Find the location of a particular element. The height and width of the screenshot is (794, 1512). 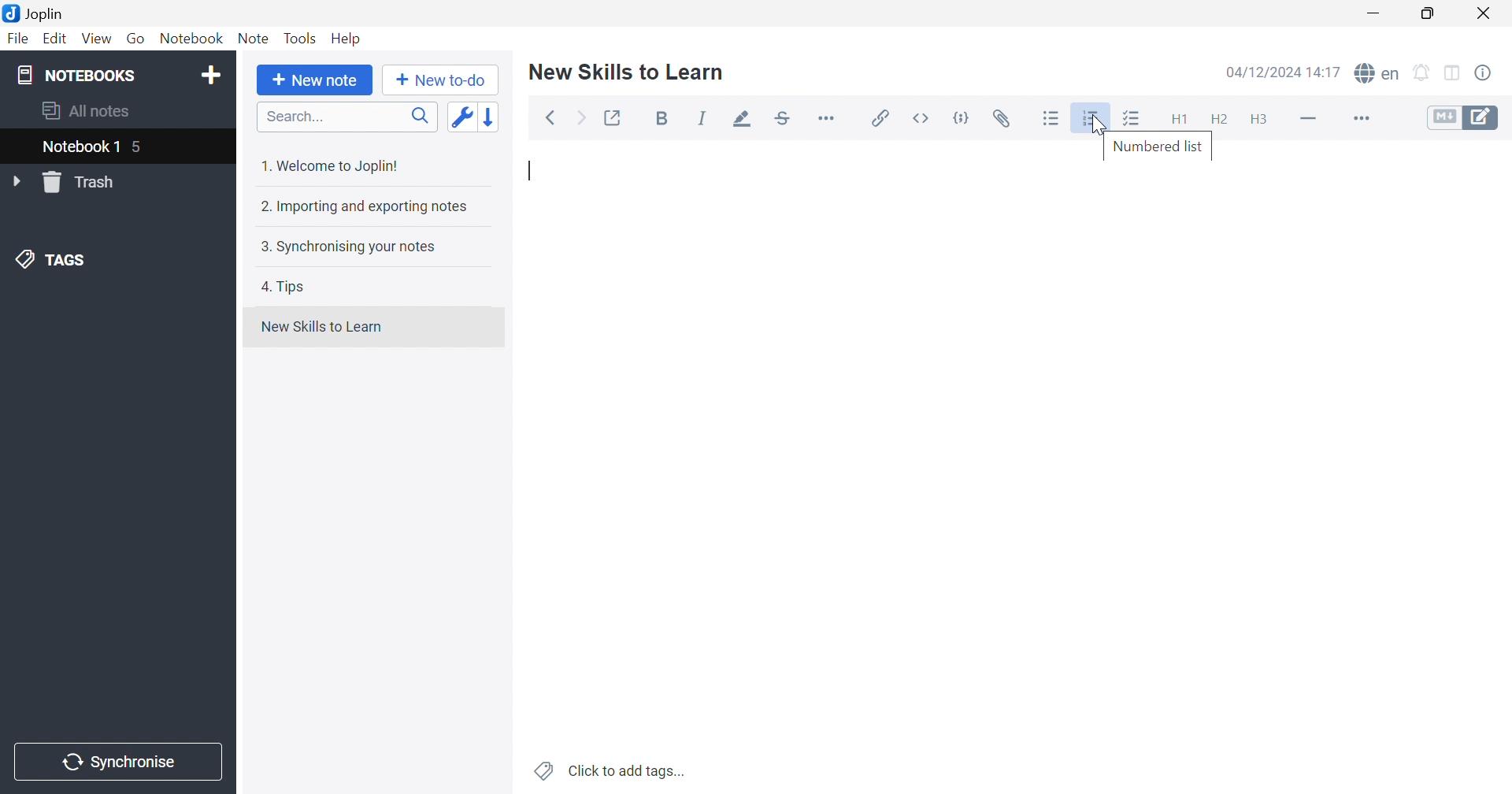

4. Tips is located at coordinates (283, 287).